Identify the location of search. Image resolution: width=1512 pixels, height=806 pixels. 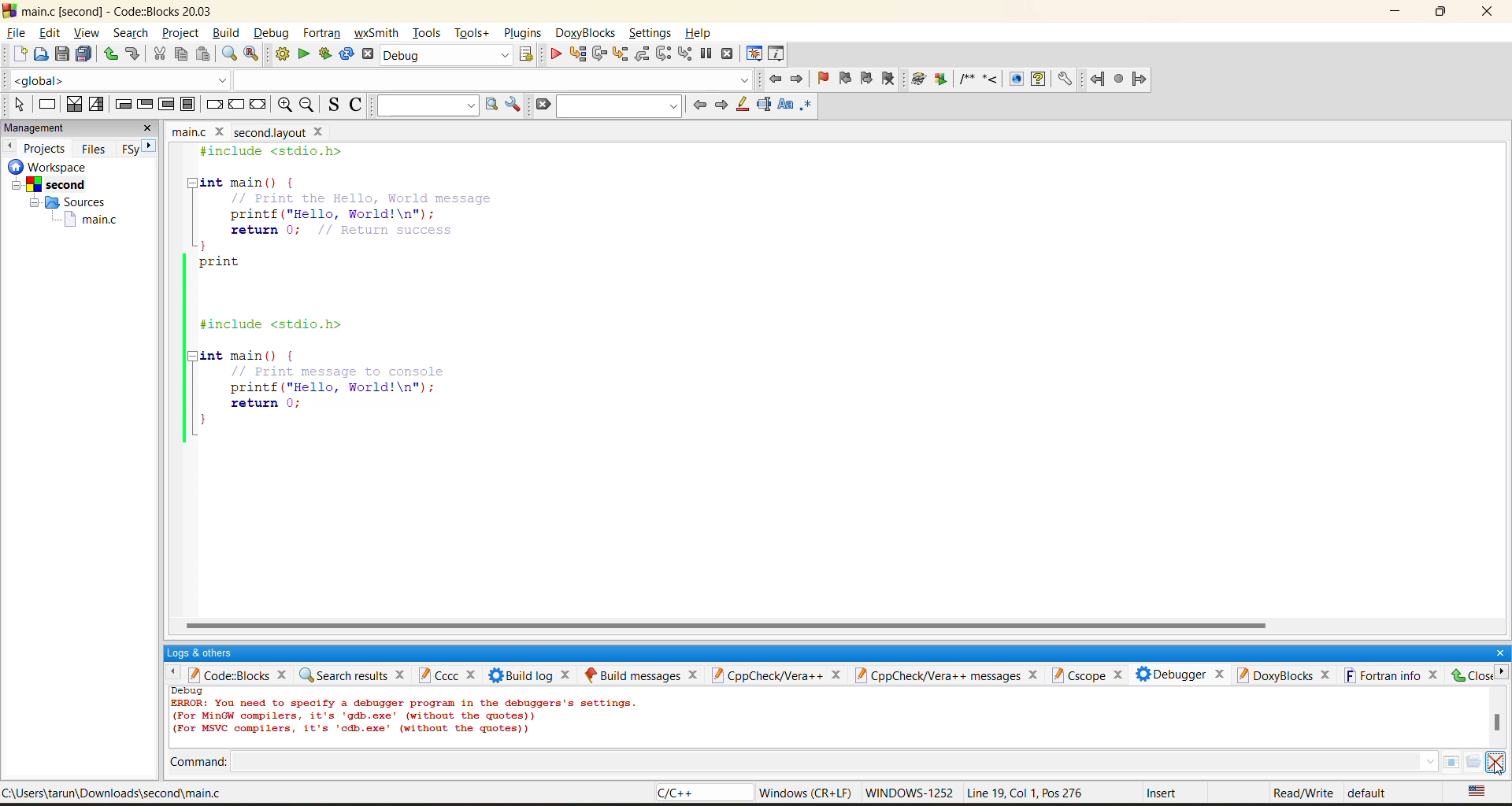
(135, 33).